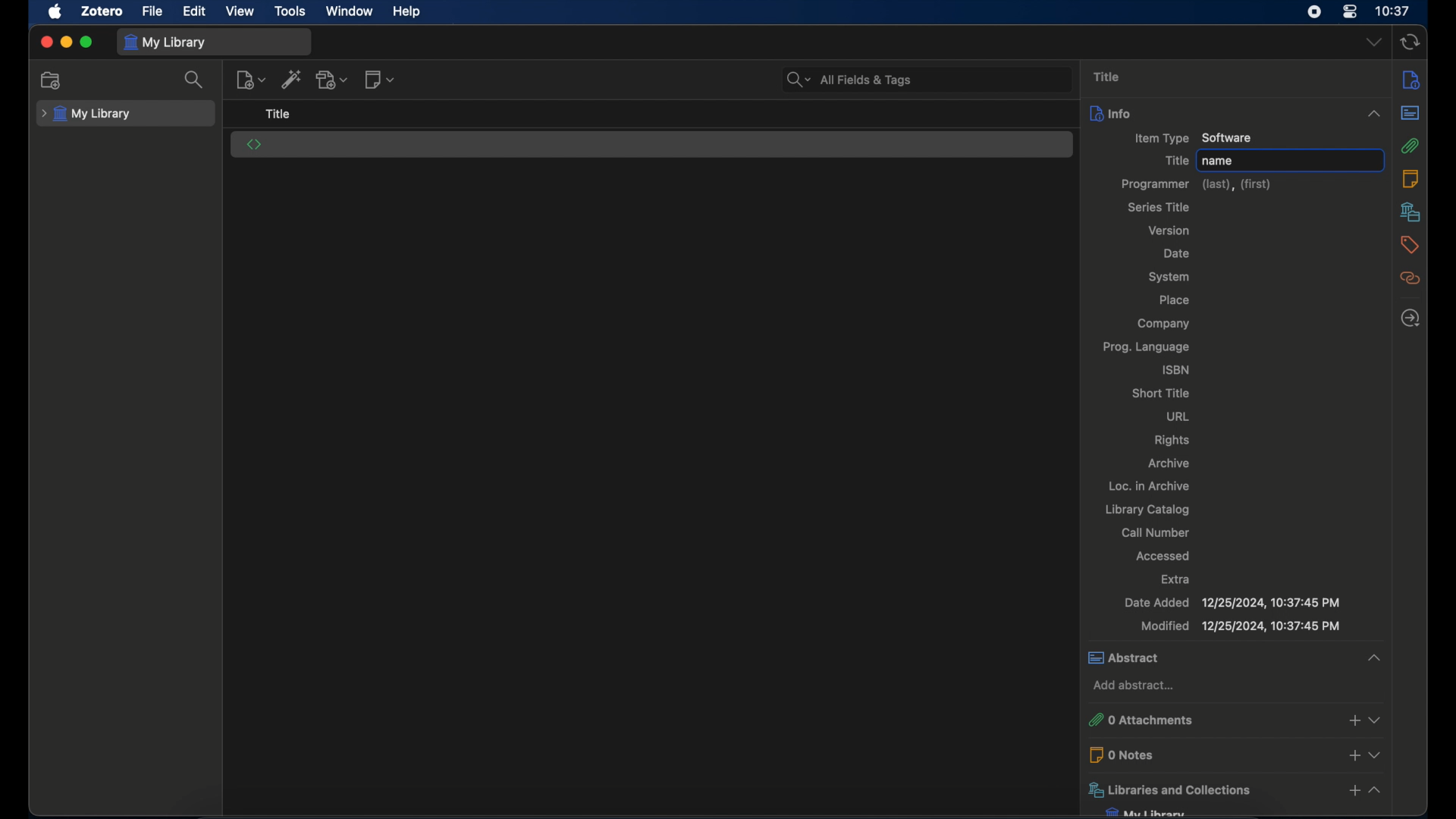 Image resolution: width=1456 pixels, height=819 pixels. Describe the element at coordinates (167, 43) in the screenshot. I see `my library` at that location.